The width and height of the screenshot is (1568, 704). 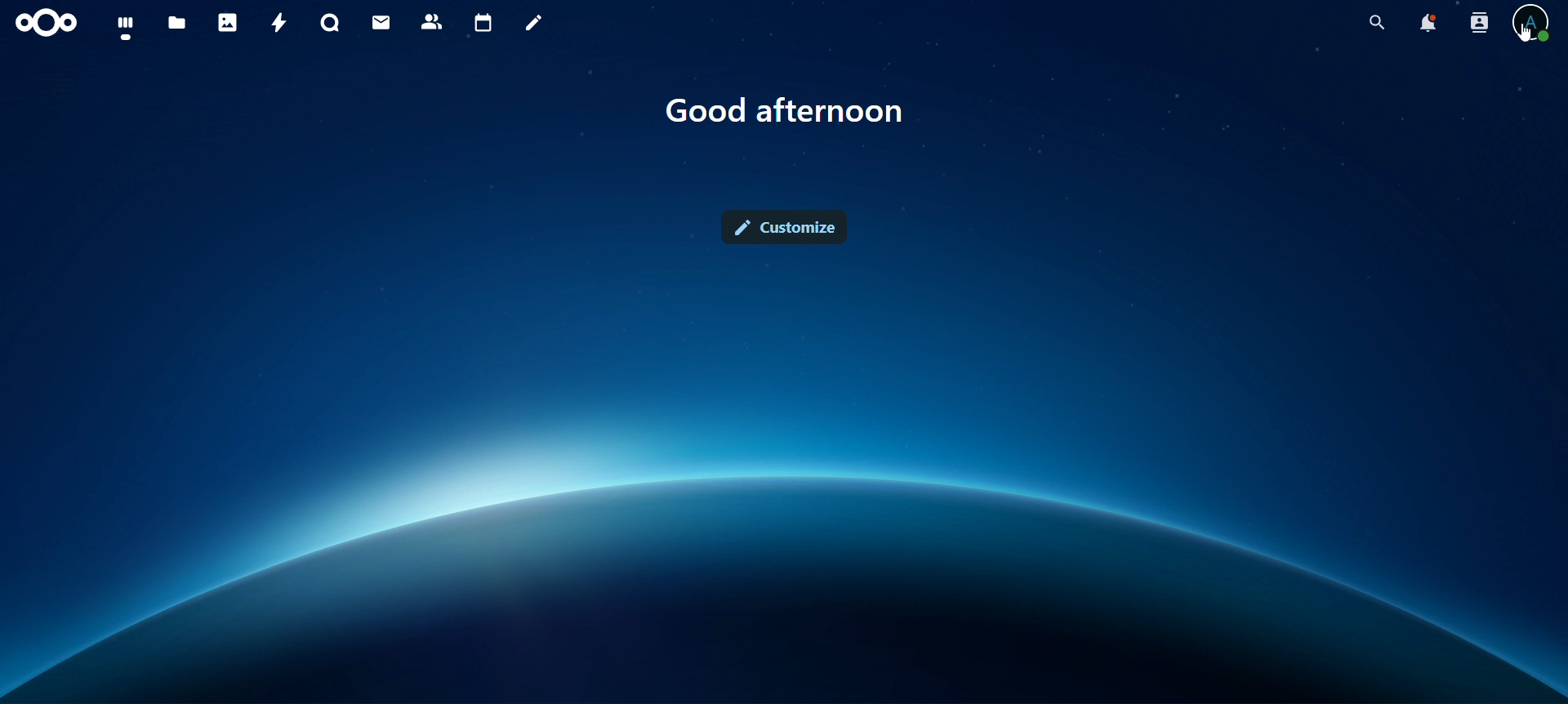 What do you see at coordinates (45, 23) in the screenshot?
I see `icon` at bounding box center [45, 23].